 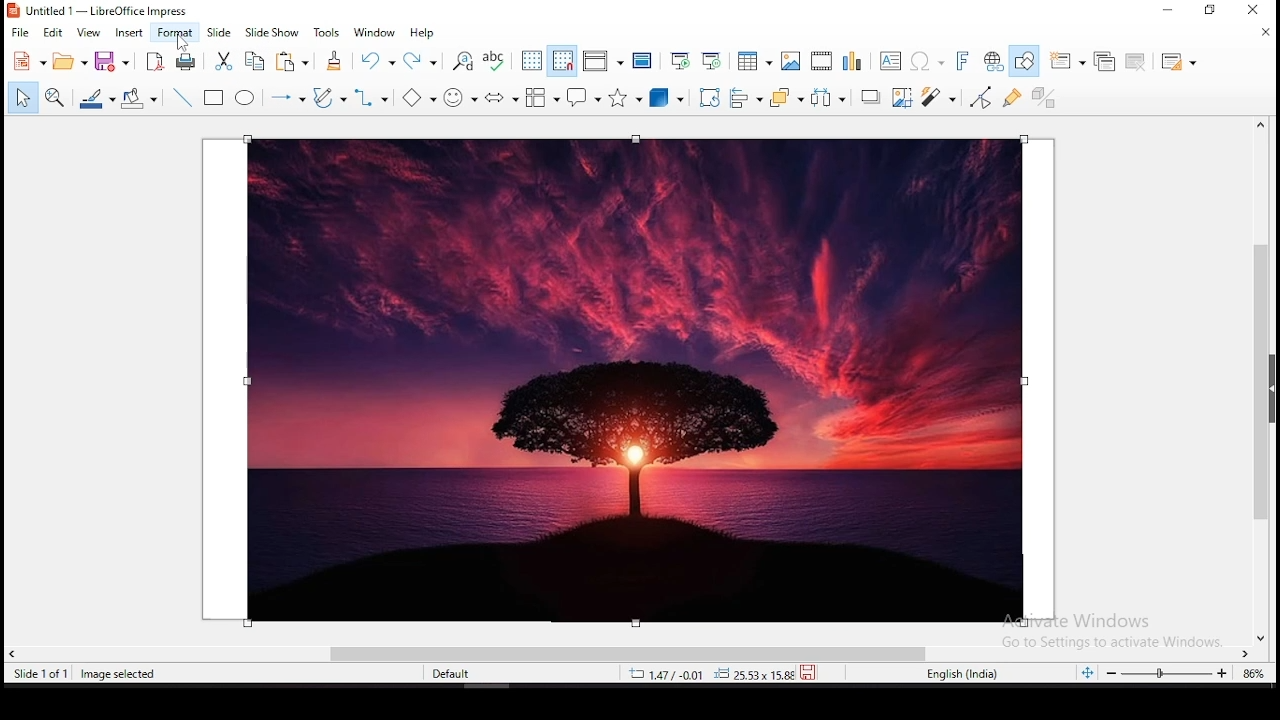 What do you see at coordinates (1172, 10) in the screenshot?
I see `minimize` at bounding box center [1172, 10].